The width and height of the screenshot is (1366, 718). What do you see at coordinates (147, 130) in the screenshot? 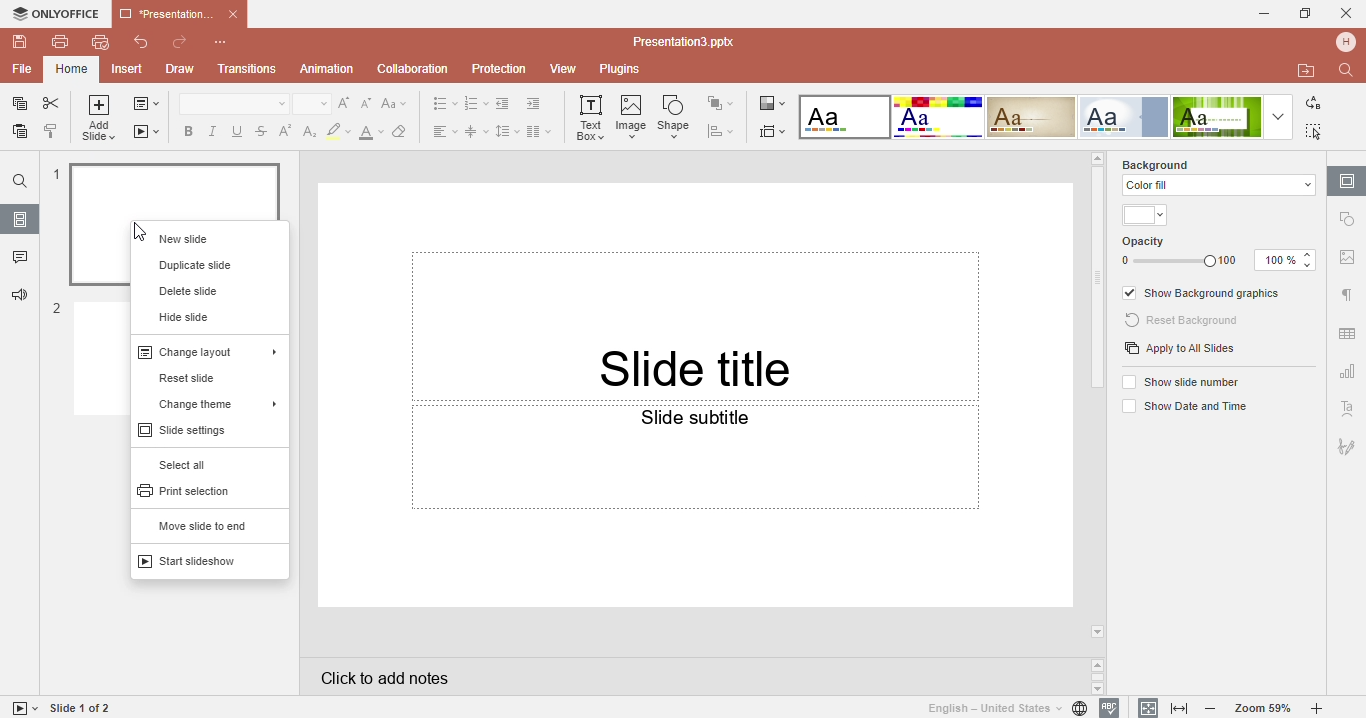
I see `Start slideshow` at bounding box center [147, 130].